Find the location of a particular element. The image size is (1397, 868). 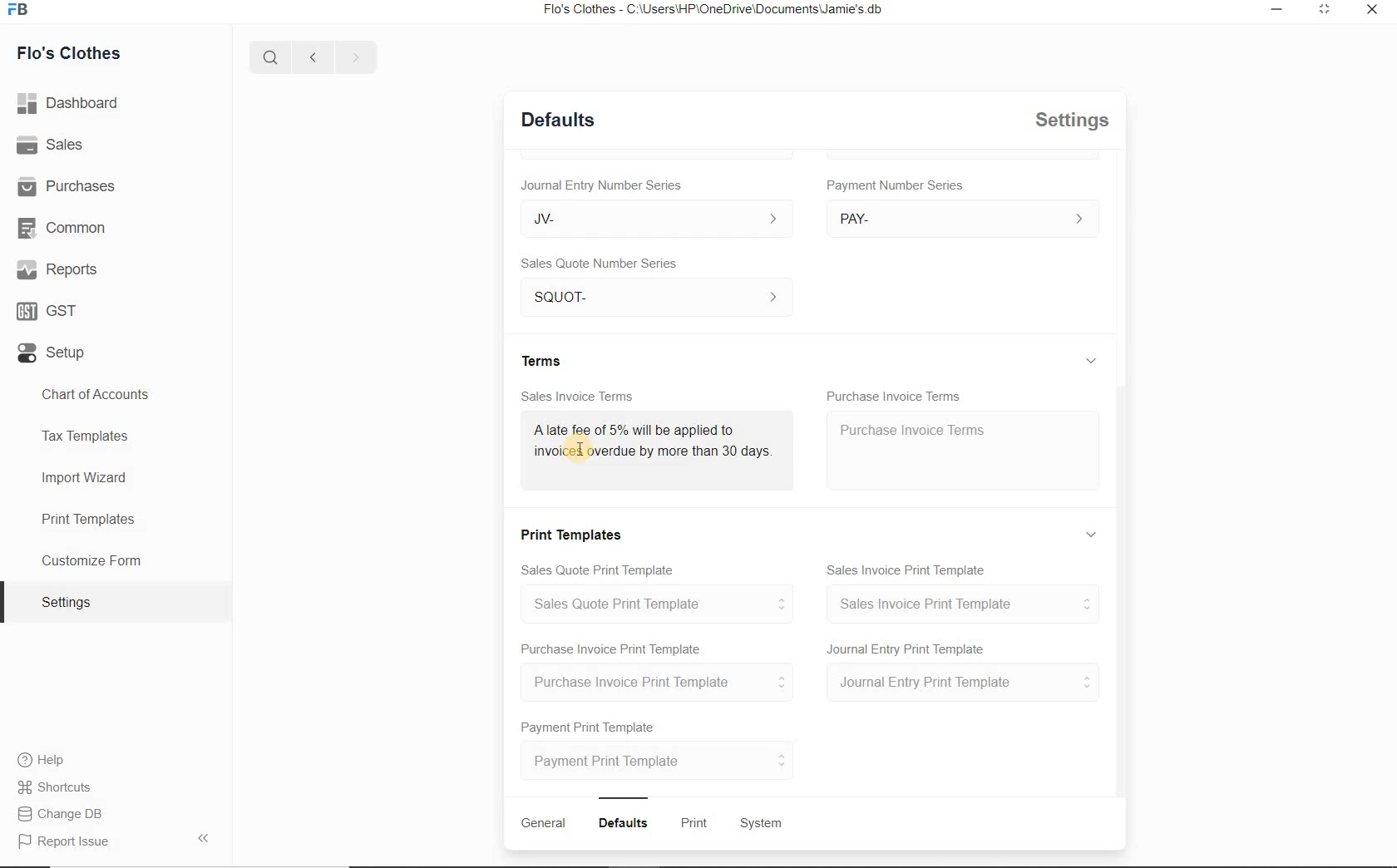

Chart of Accounts is located at coordinates (96, 393).